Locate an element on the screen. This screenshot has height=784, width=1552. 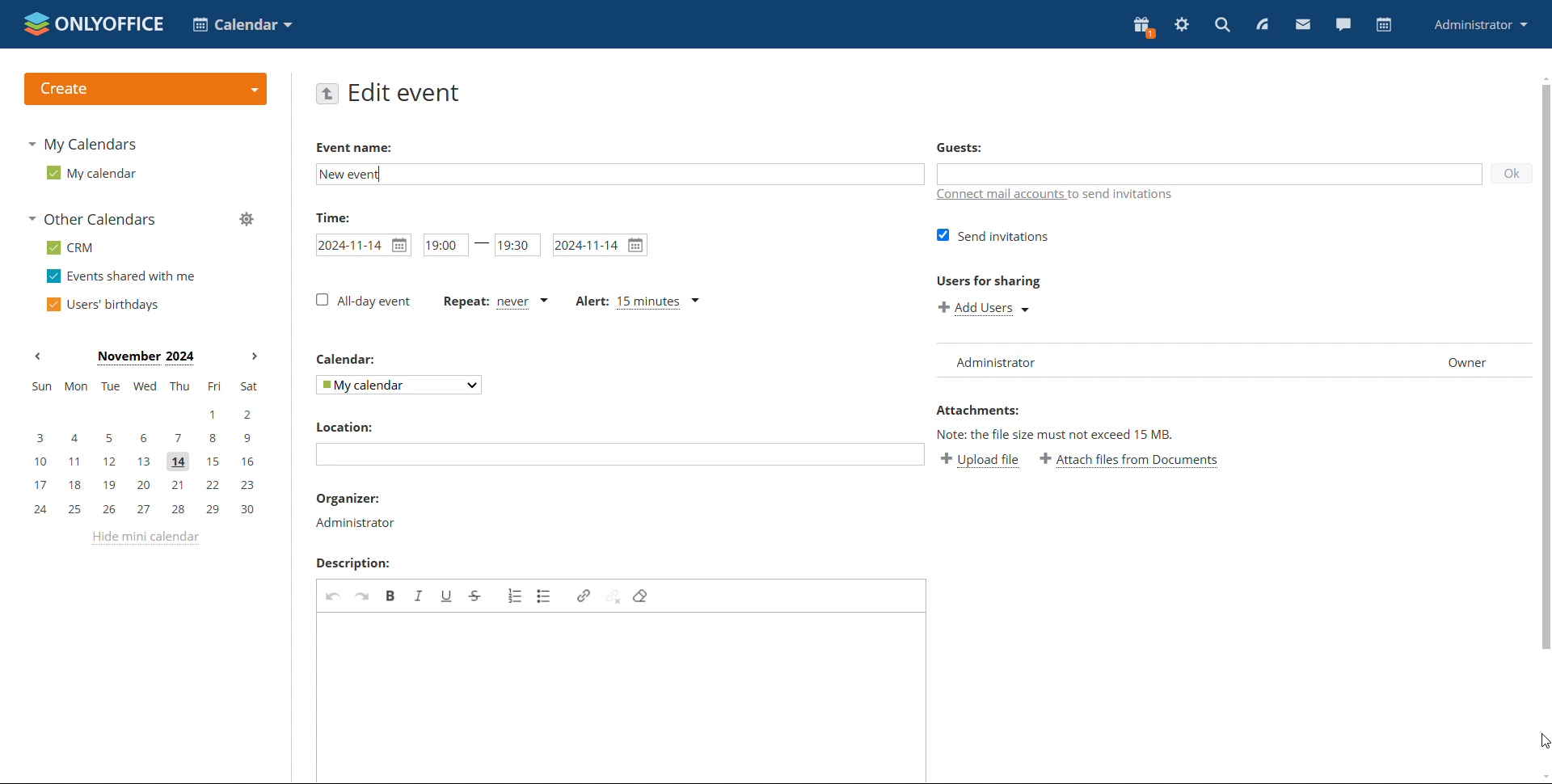
upload file is located at coordinates (982, 462).